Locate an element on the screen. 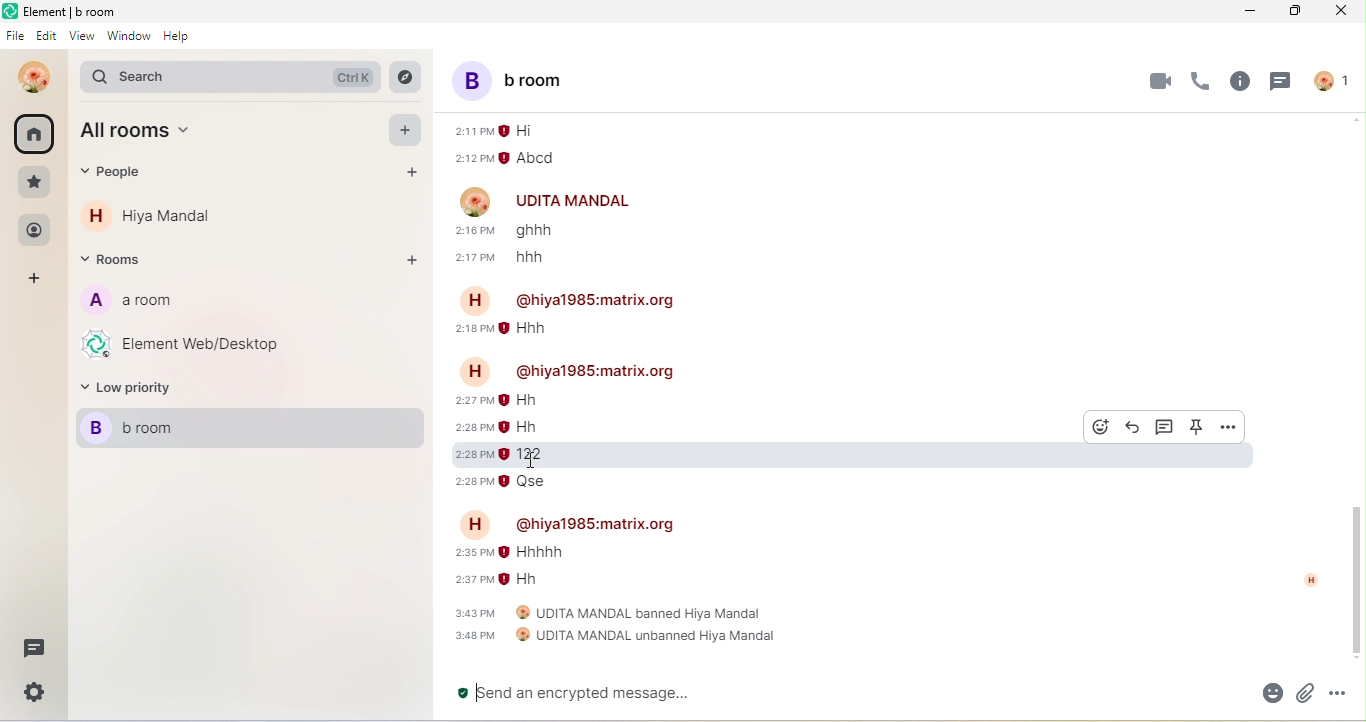 The image size is (1366, 722). 3:43 pm UDITA MANDAL banned Hiya Mandal is located at coordinates (610, 614).